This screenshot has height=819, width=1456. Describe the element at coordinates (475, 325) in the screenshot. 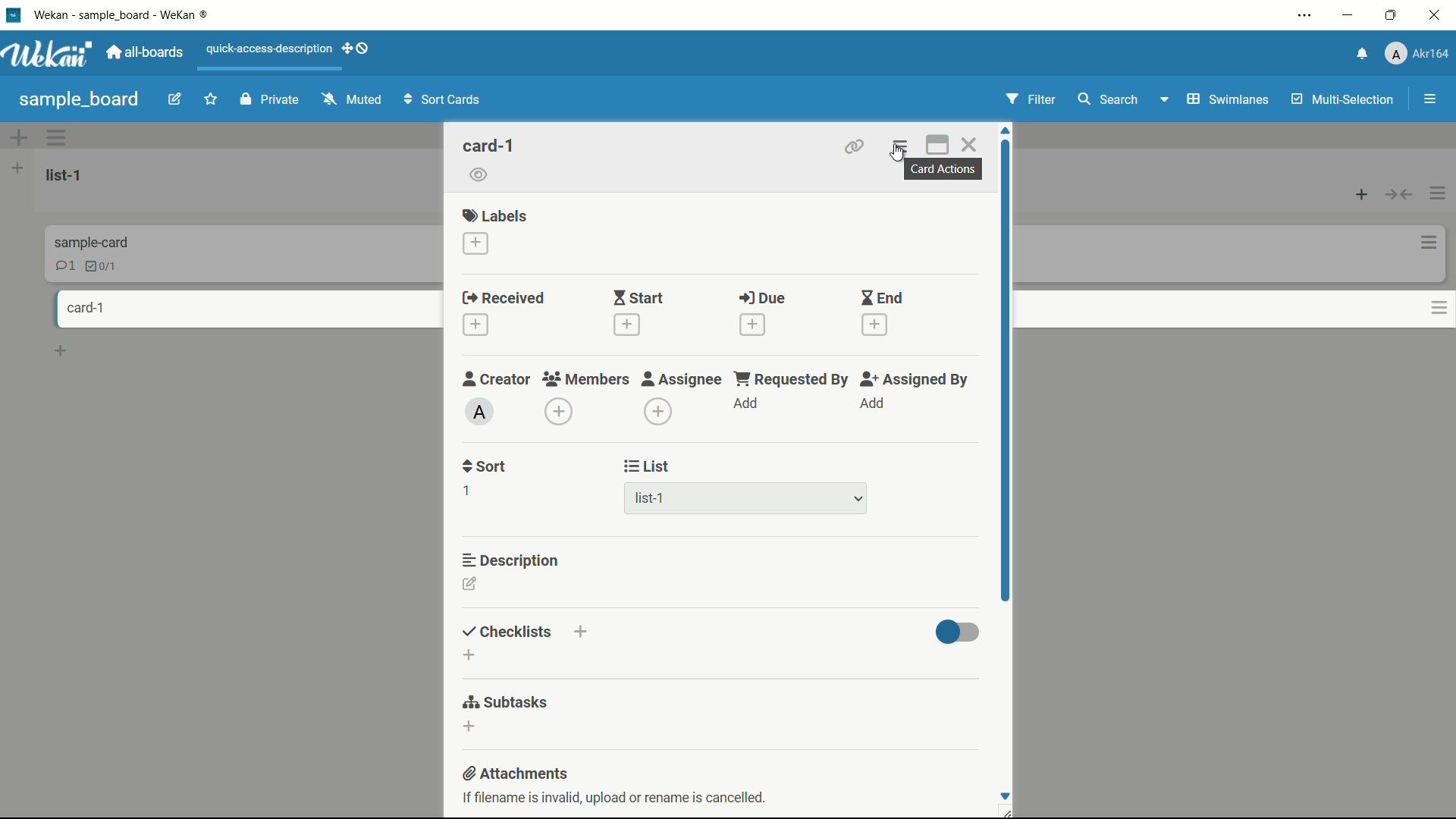

I see `add date` at that location.